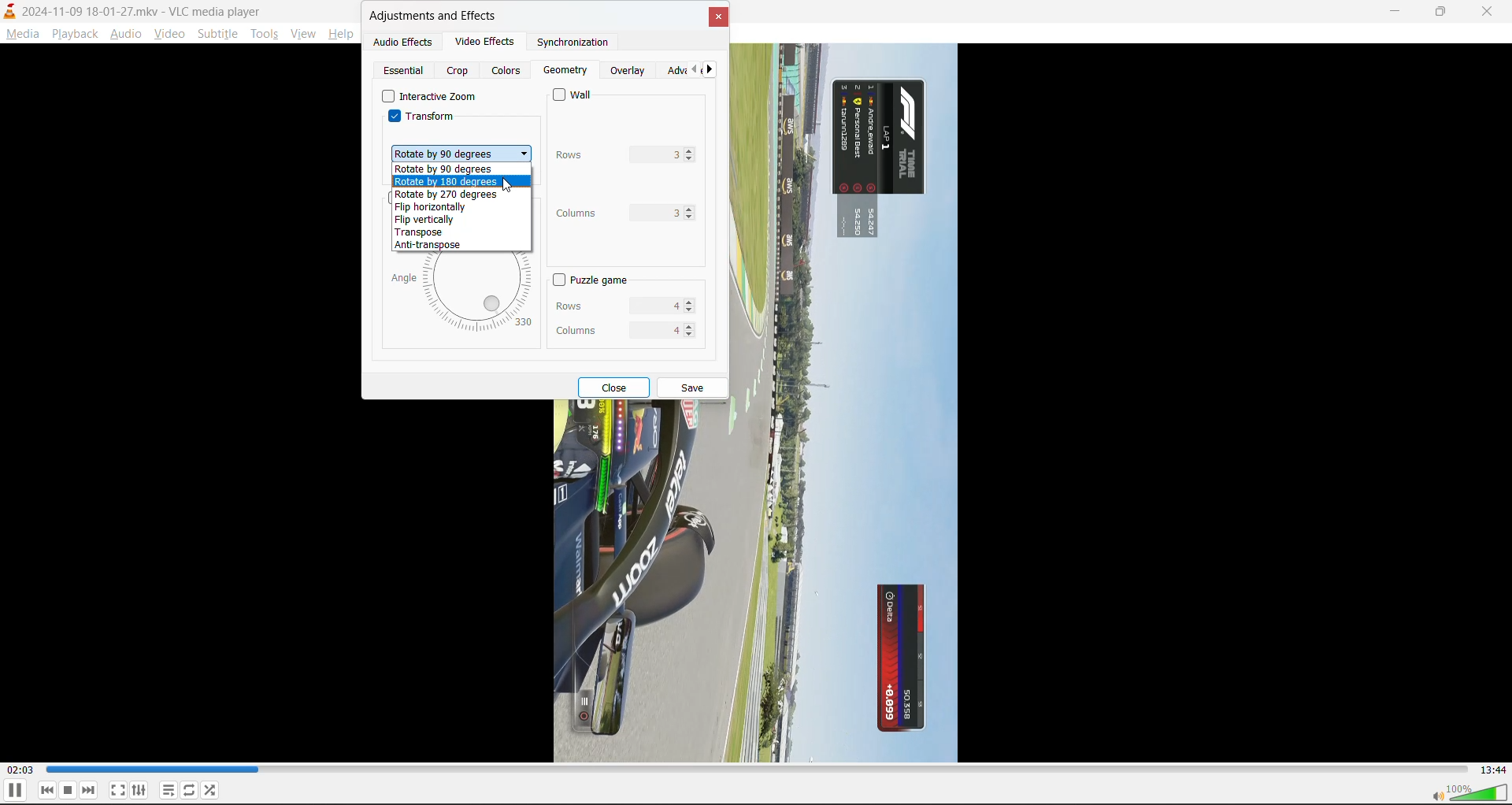 The image size is (1512, 805). I want to click on decrease, so click(692, 160).